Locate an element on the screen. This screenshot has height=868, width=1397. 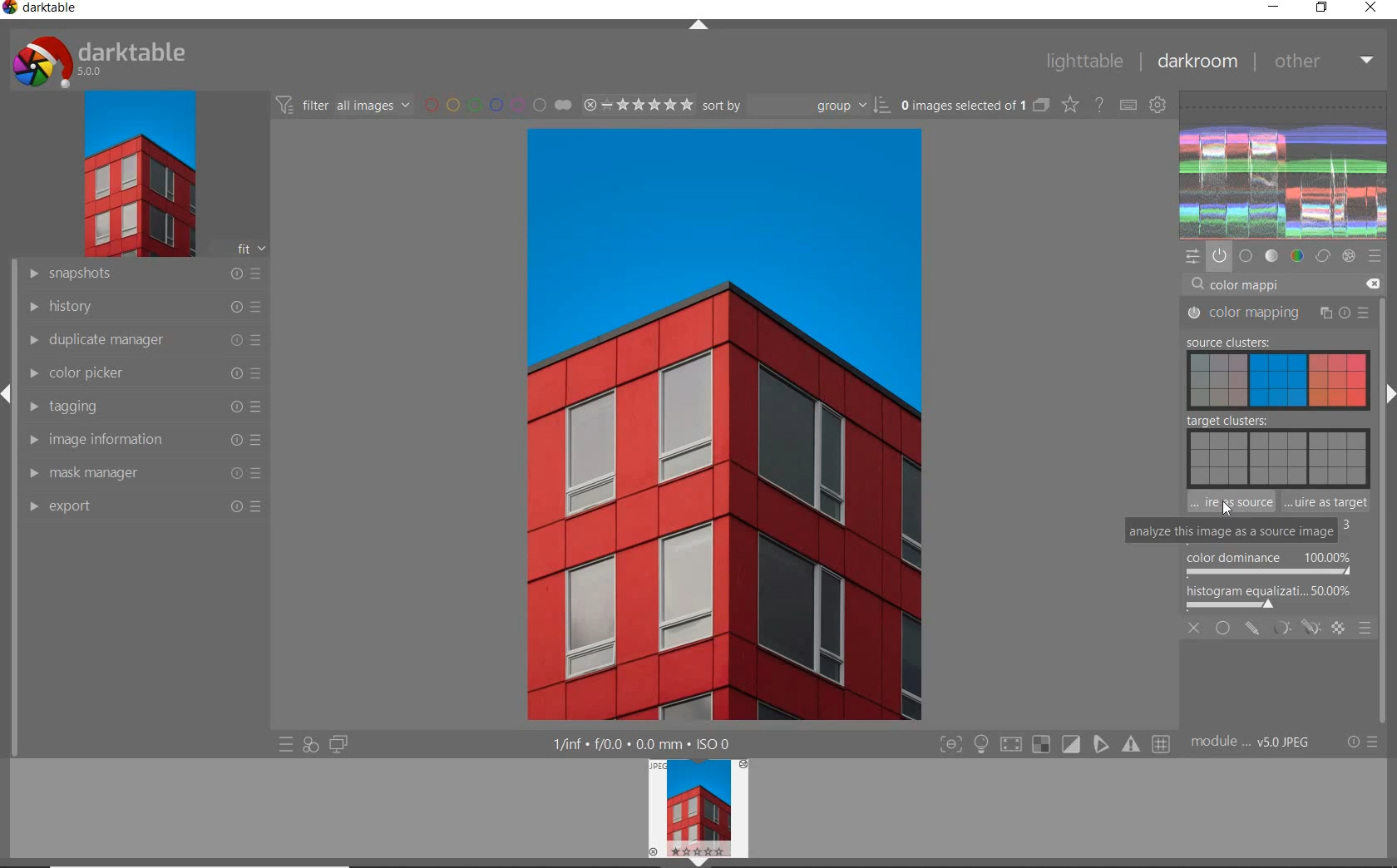
scollbar is located at coordinates (1387, 333).